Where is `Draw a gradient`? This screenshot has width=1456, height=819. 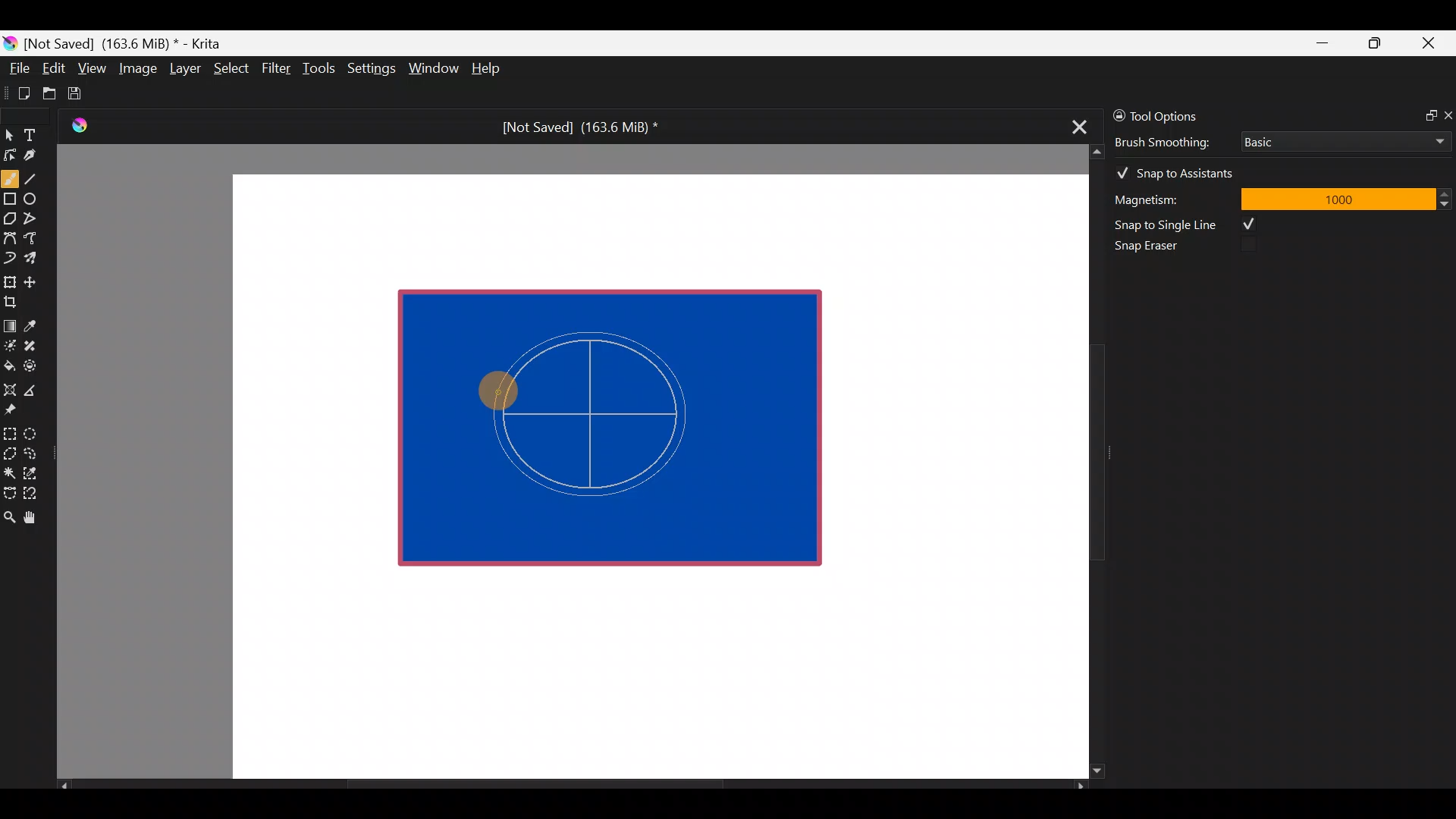 Draw a gradient is located at coordinates (9, 322).